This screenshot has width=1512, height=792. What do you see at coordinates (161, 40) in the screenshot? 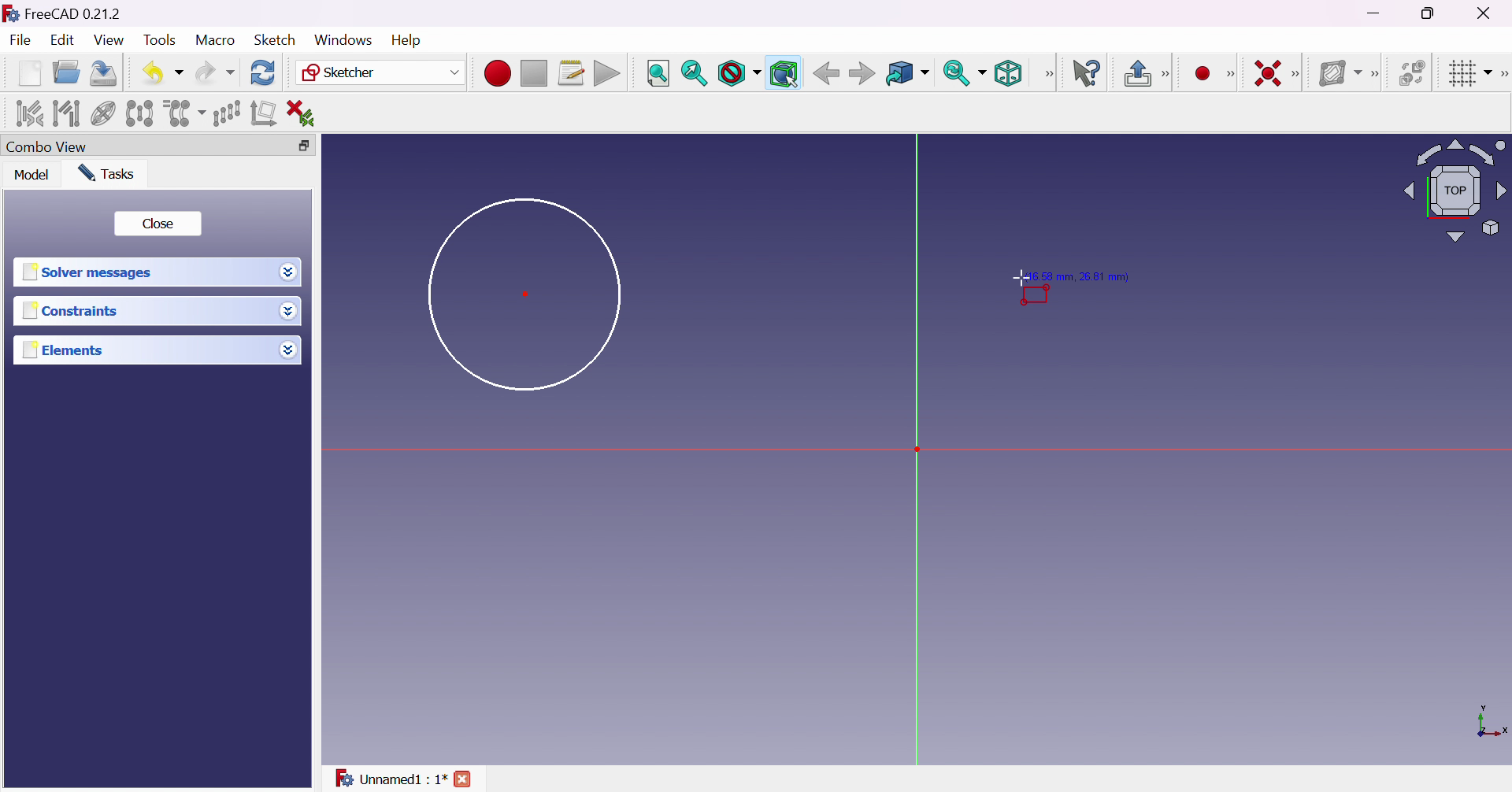
I see `Tools` at bounding box center [161, 40].